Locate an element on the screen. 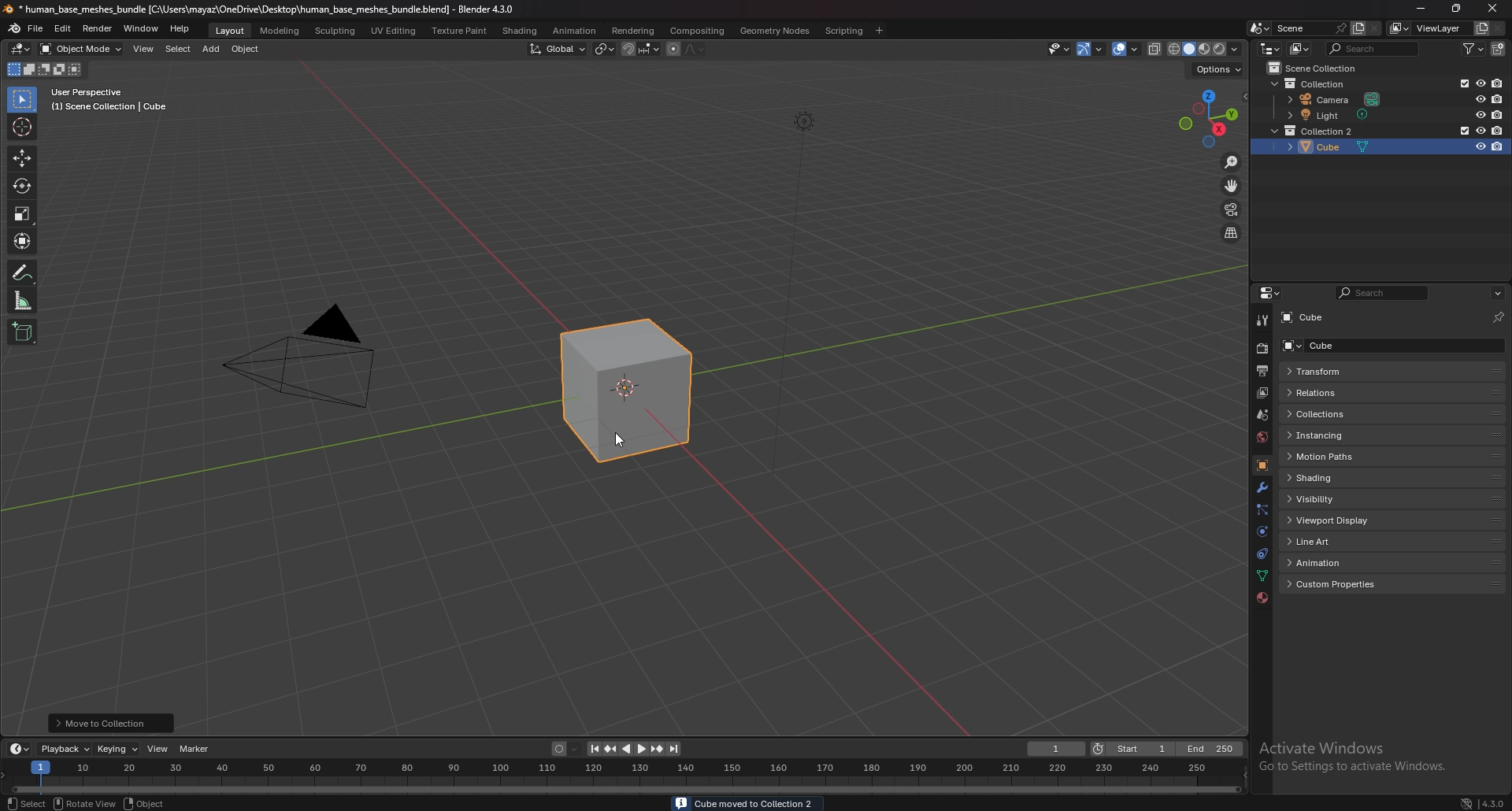 The height and width of the screenshot is (811, 1512). snapping is located at coordinates (641, 49).